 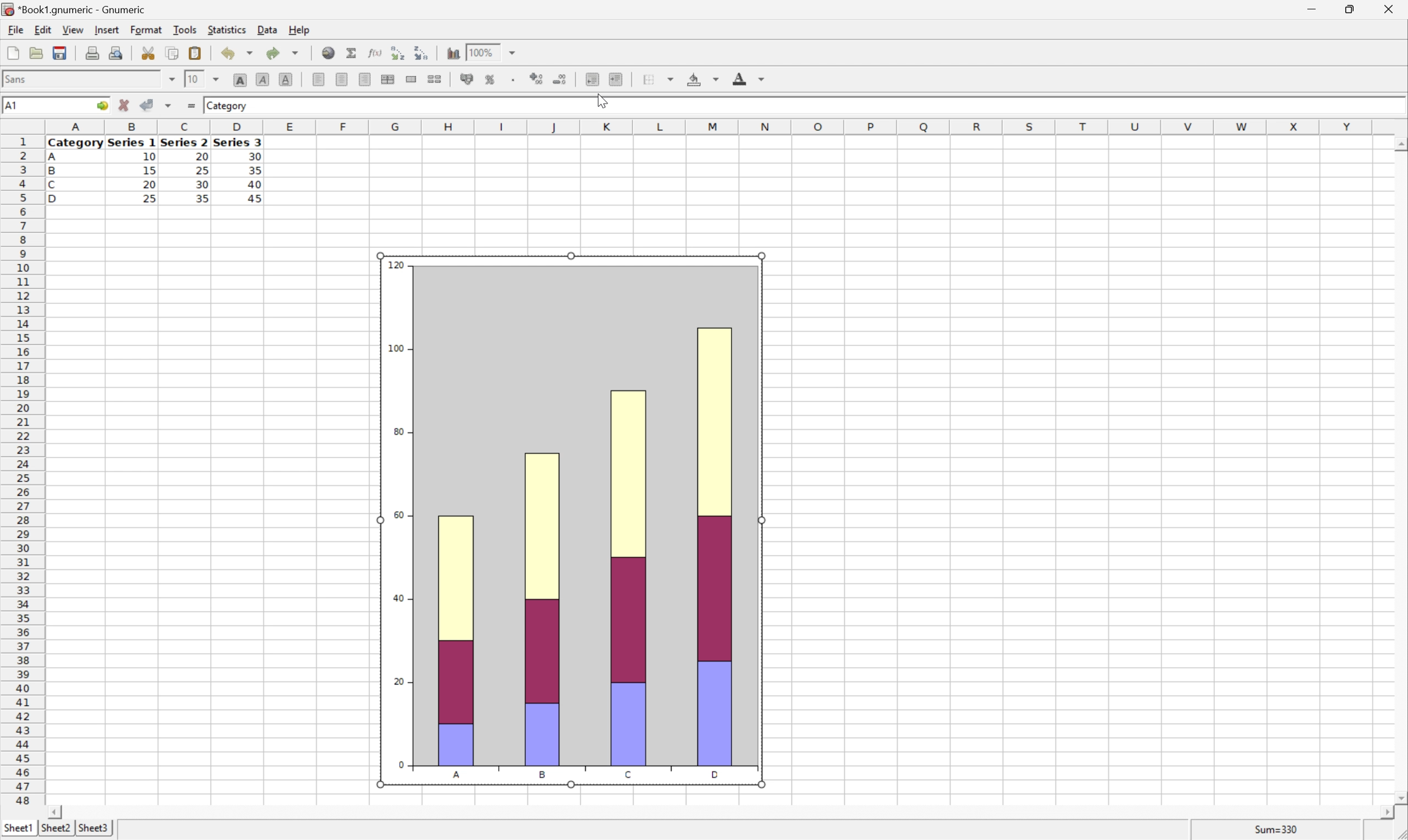 I want to click on A, so click(x=54, y=158).